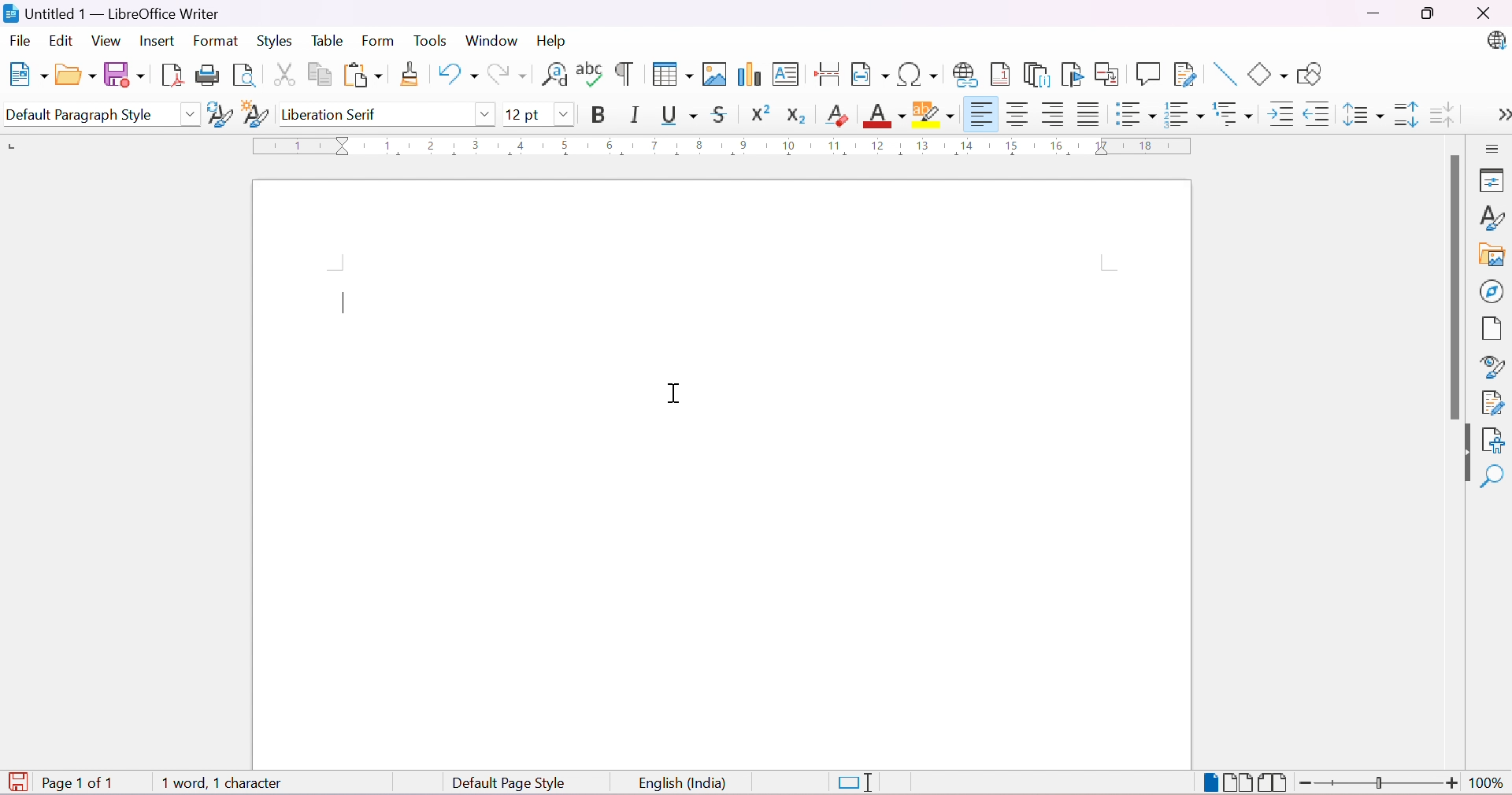 This screenshot has width=1512, height=795. I want to click on Scroll Bar, so click(1452, 287).